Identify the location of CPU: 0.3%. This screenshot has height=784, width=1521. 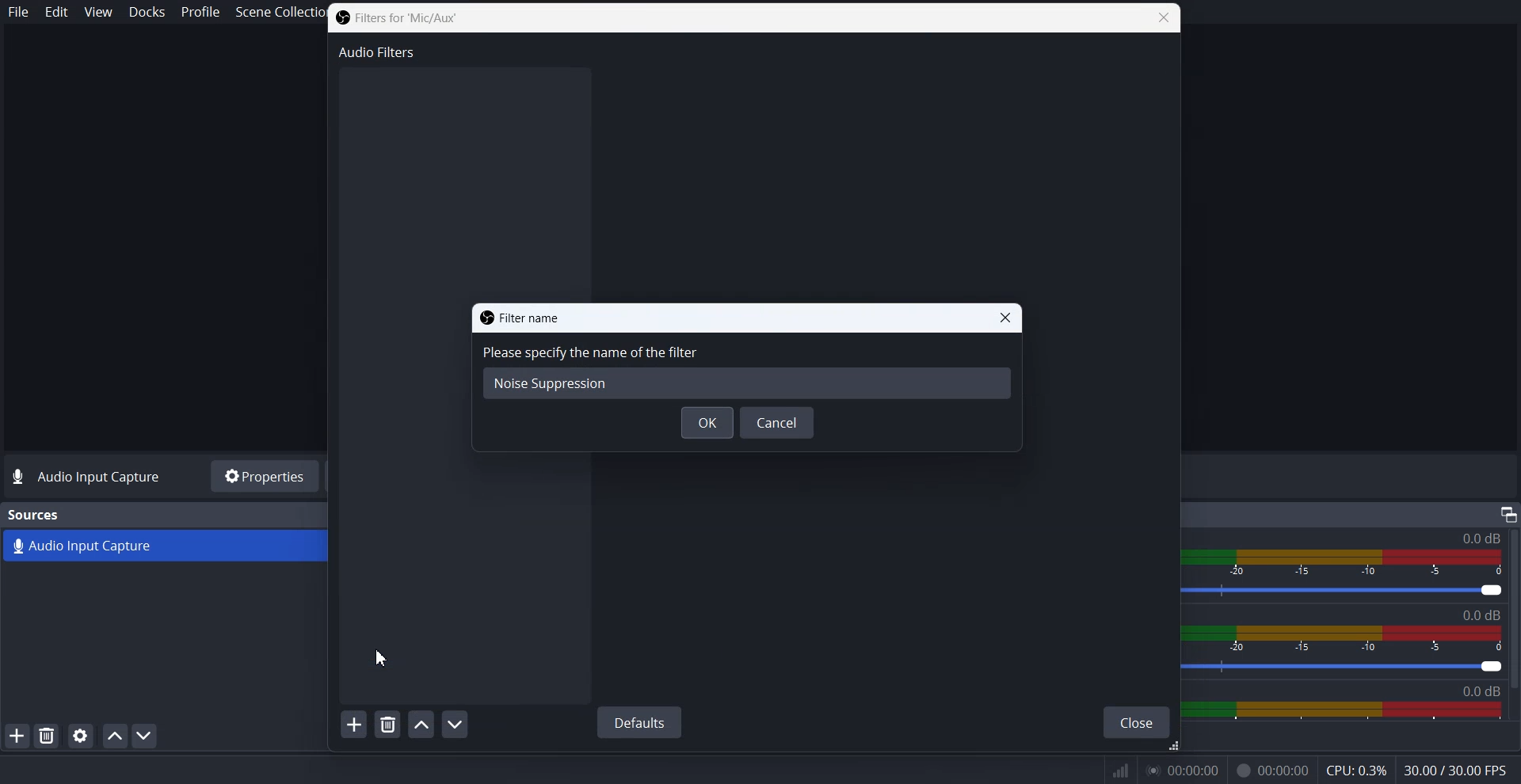
(1355, 772).